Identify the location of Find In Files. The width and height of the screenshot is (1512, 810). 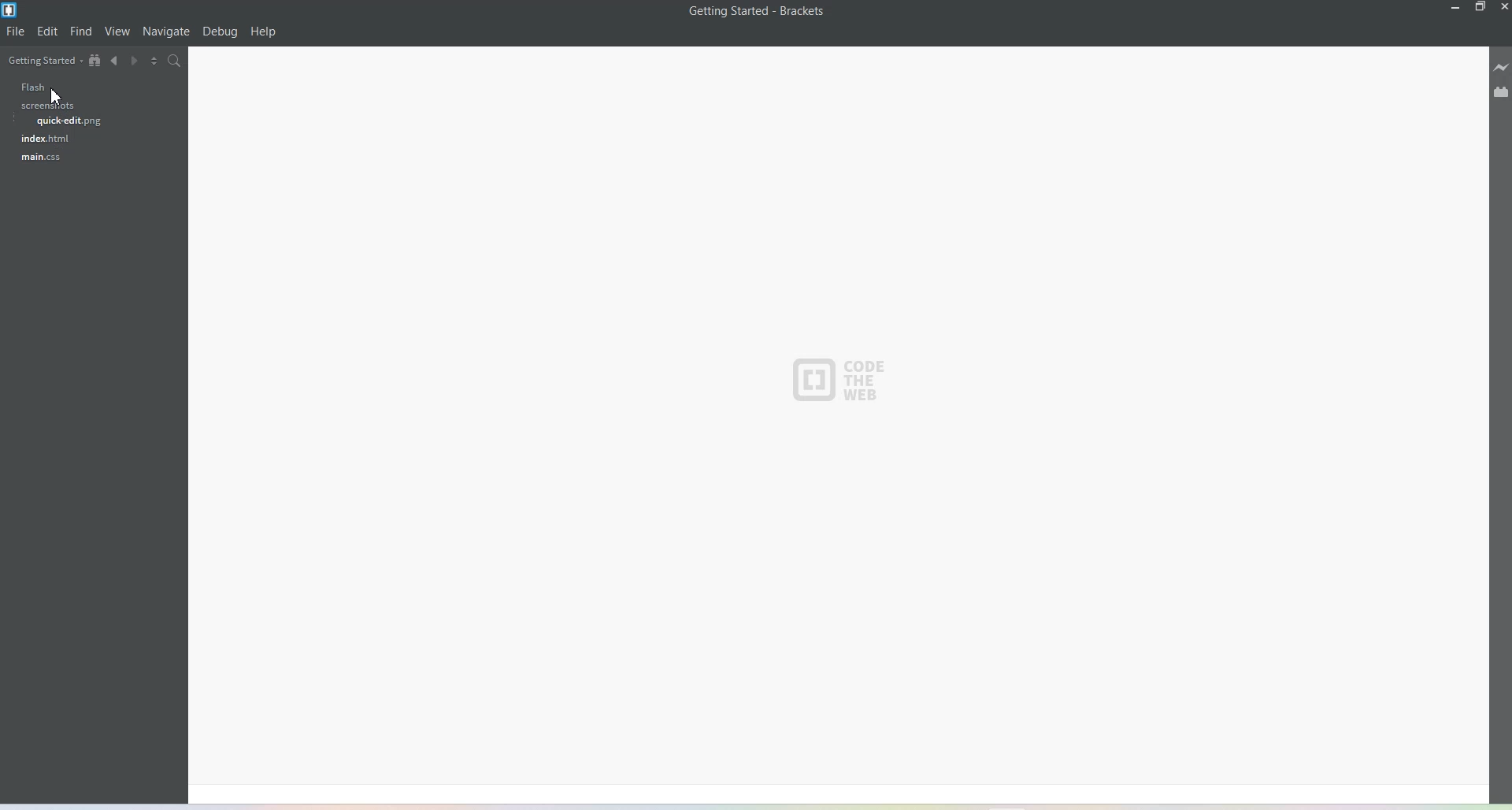
(183, 63).